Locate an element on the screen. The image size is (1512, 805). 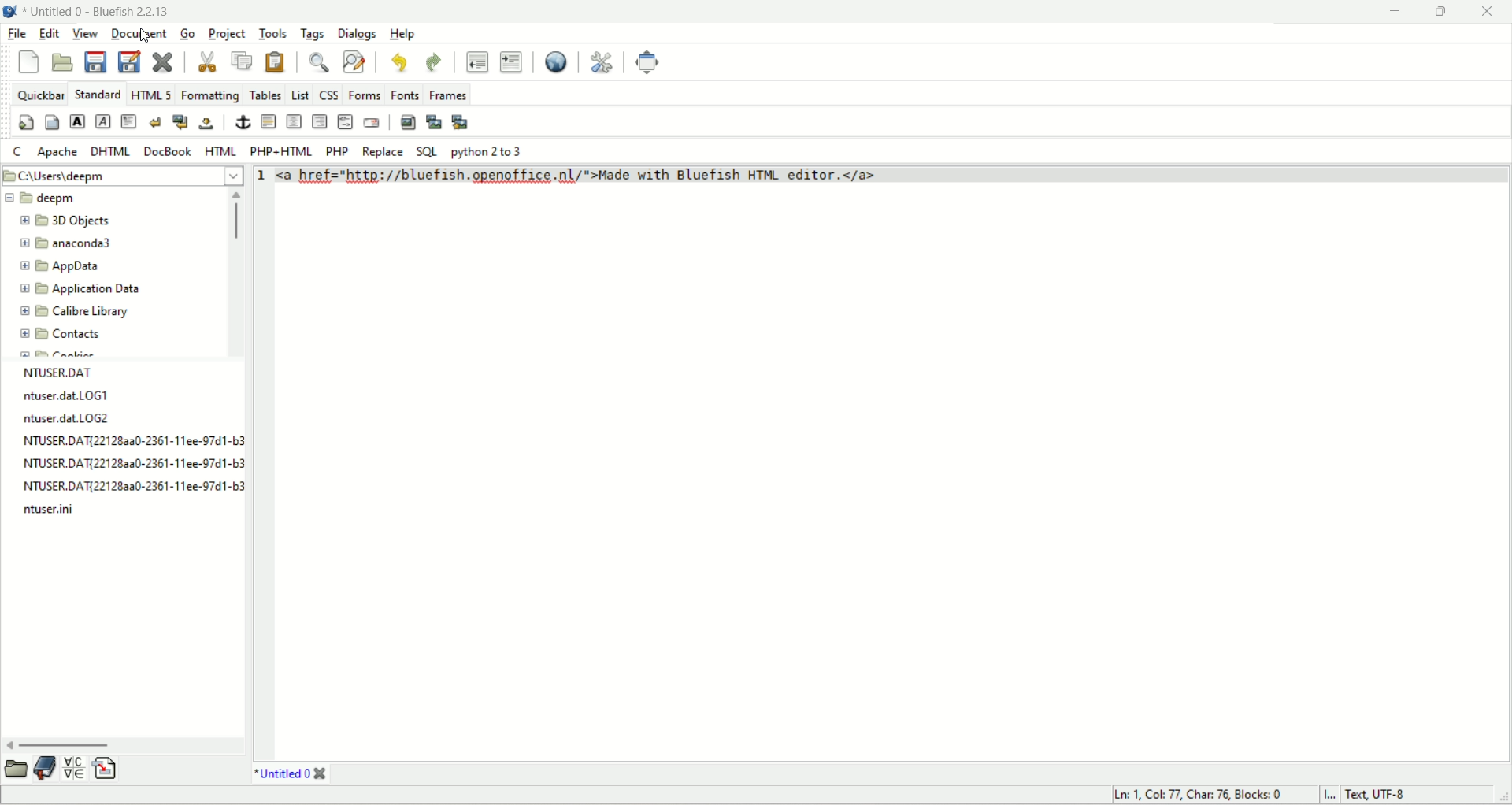
redo is located at coordinates (435, 62).